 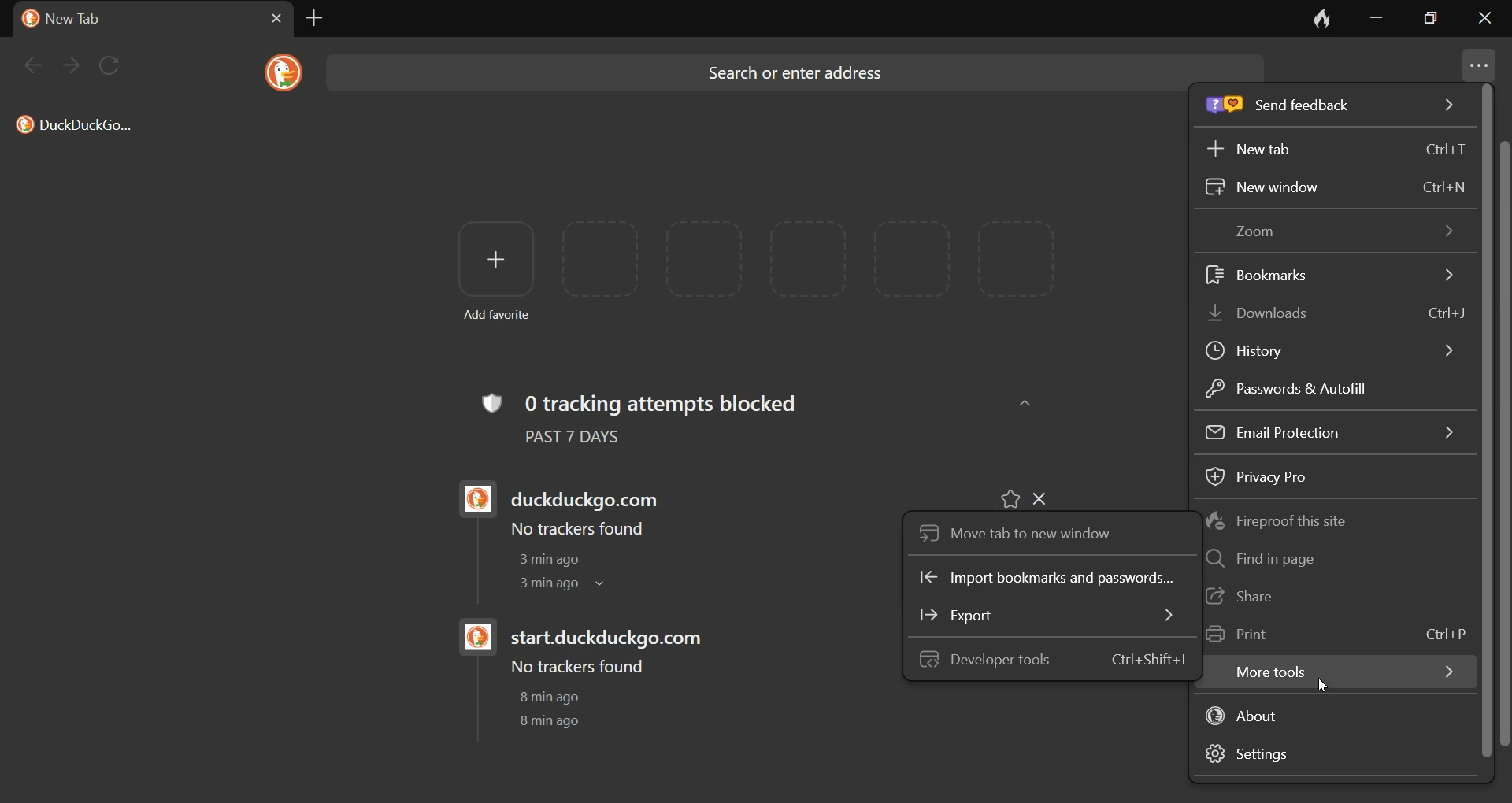 What do you see at coordinates (594, 494) in the screenshot?
I see `duckduckgo.com` at bounding box center [594, 494].